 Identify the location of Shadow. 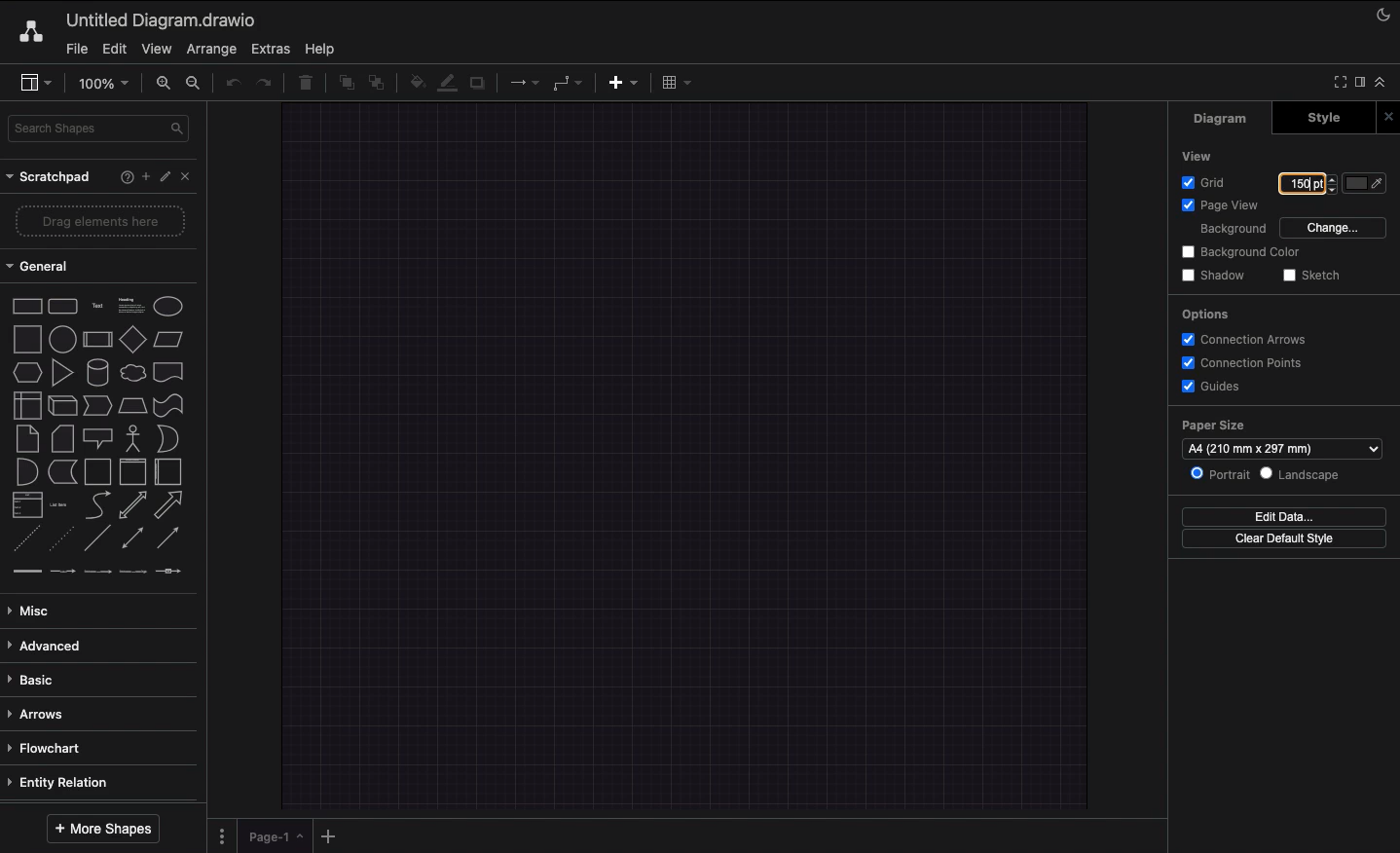
(479, 87).